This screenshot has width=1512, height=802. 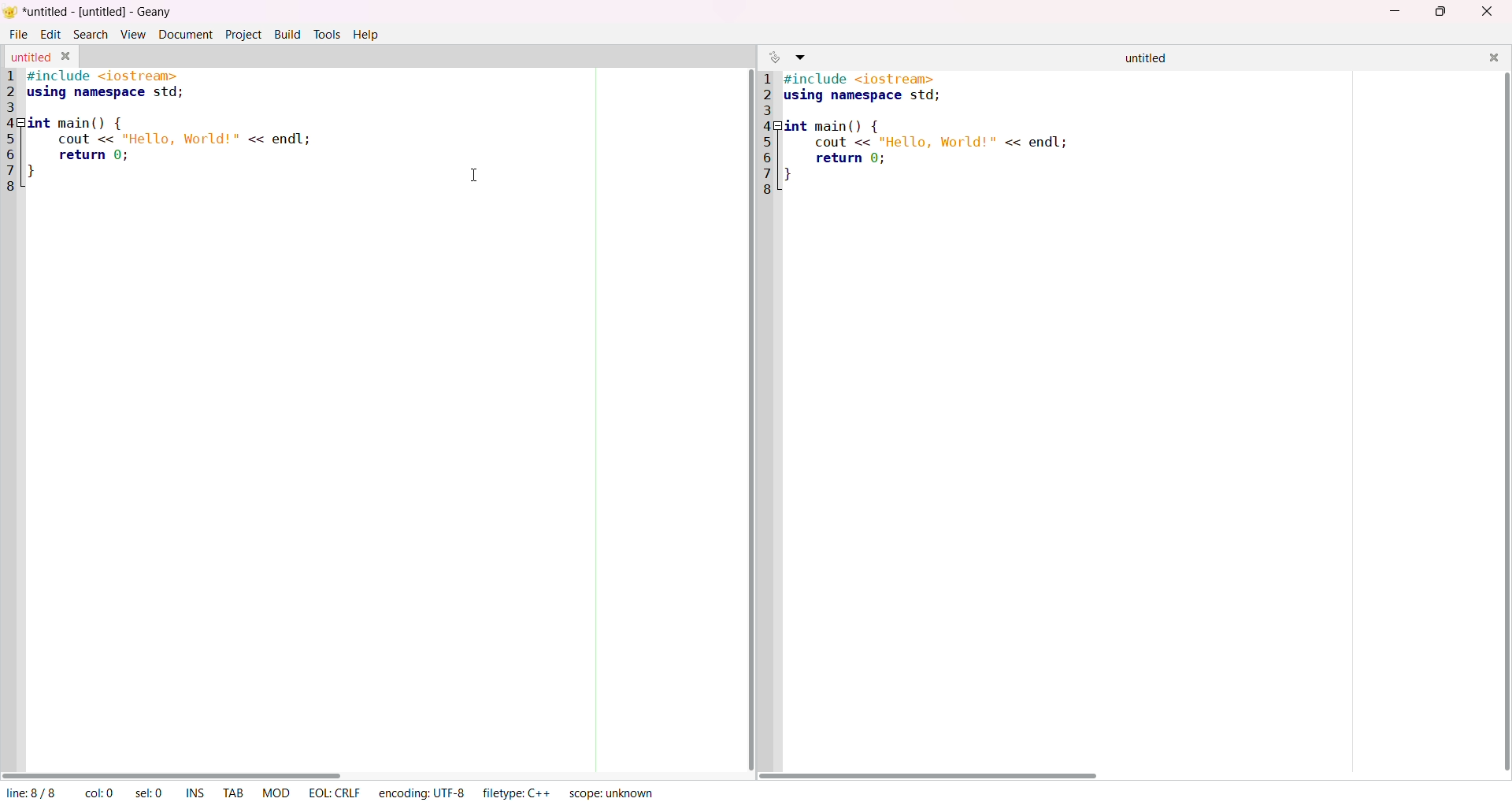 What do you see at coordinates (12, 11) in the screenshot?
I see `logo` at bounding box center [12, 11].